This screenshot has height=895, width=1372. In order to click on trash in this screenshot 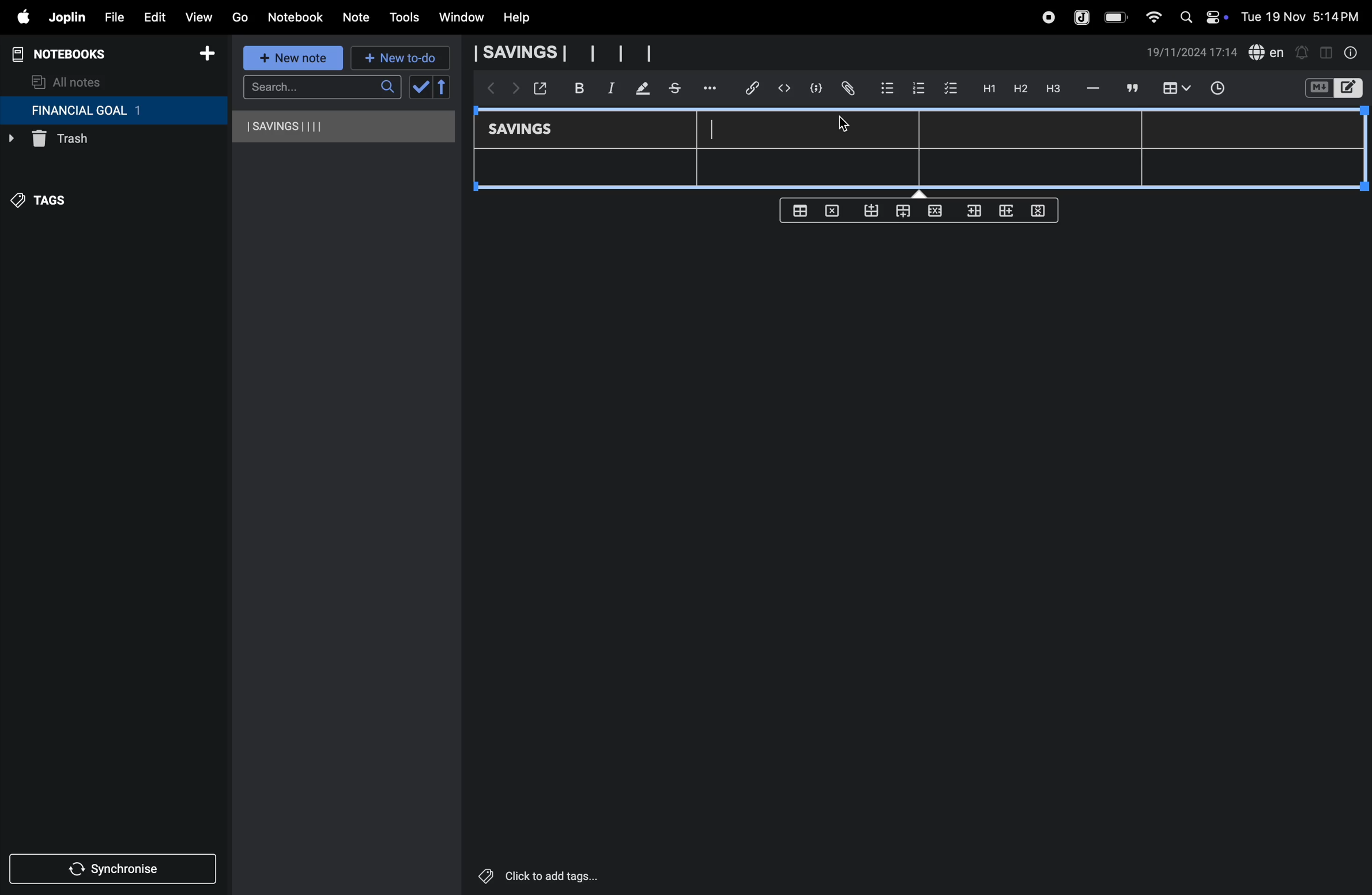, I will do `click(89, 142)`.